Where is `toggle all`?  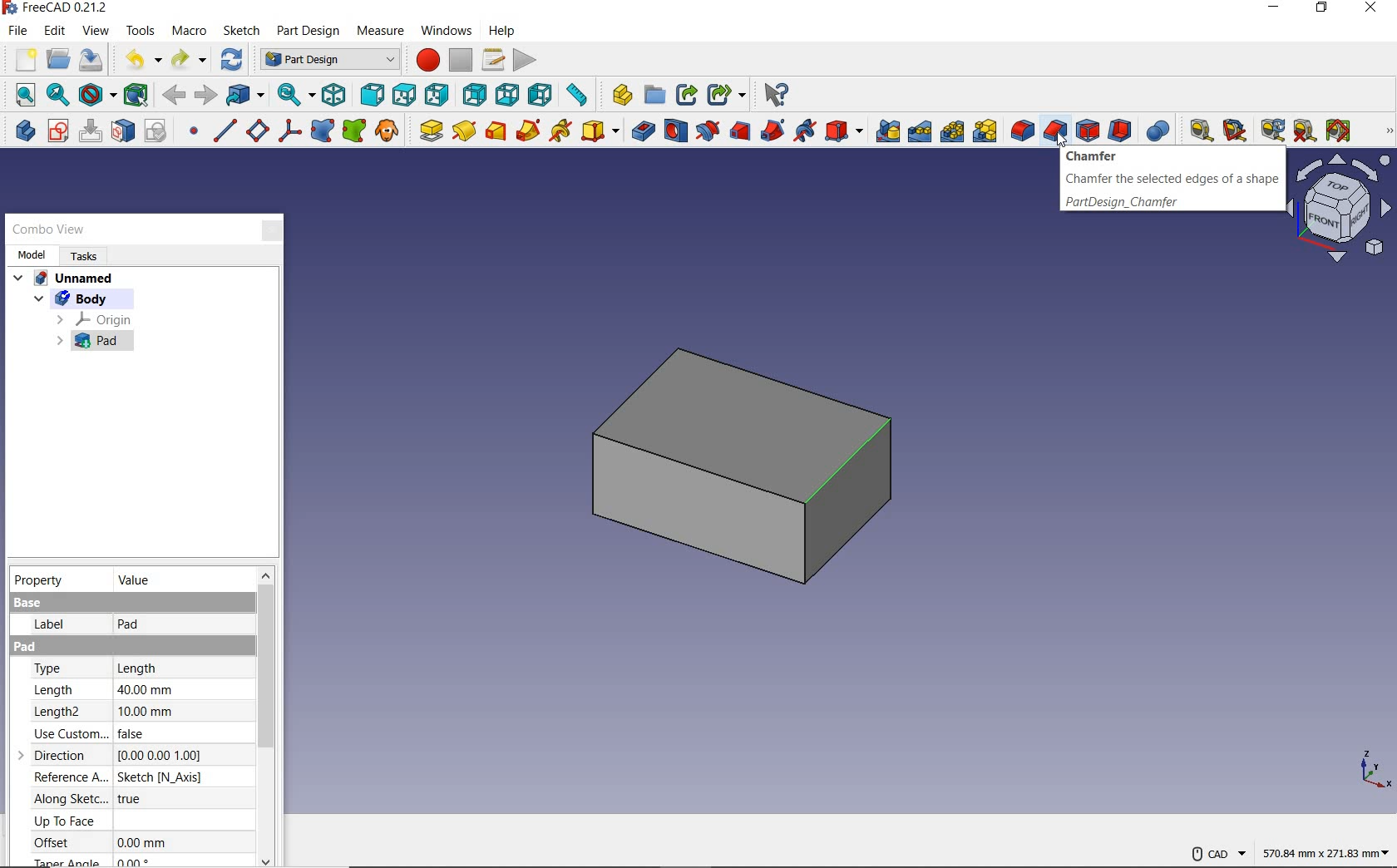
toggle all is located at coordinates (1338, 131).